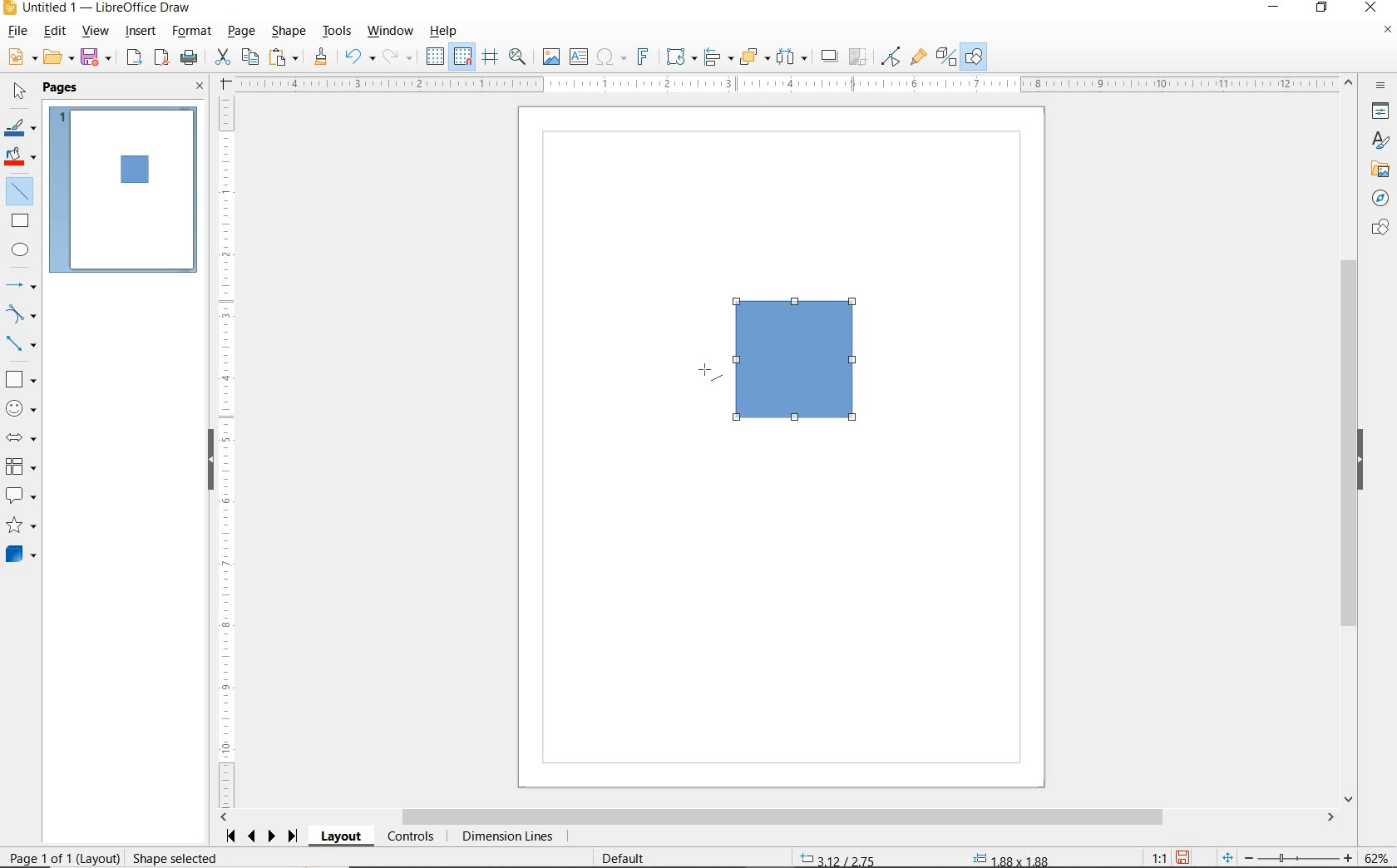 This screenshot has width=1397, height=868. What do you see at coordinates (975, 57) in the screenshot?
I see `SHOW DRAW FUNCTIONS` at bounding box center [975, 57].